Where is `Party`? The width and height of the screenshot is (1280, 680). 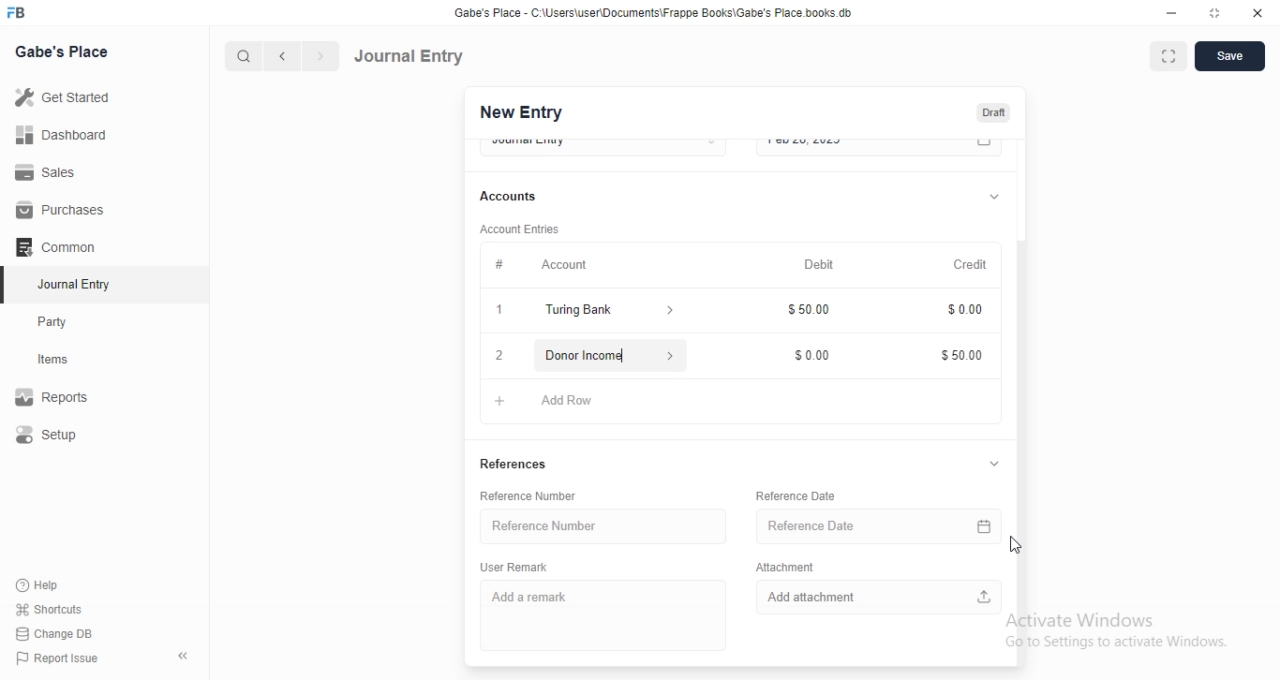
Party is located at coordinates (66, 322).